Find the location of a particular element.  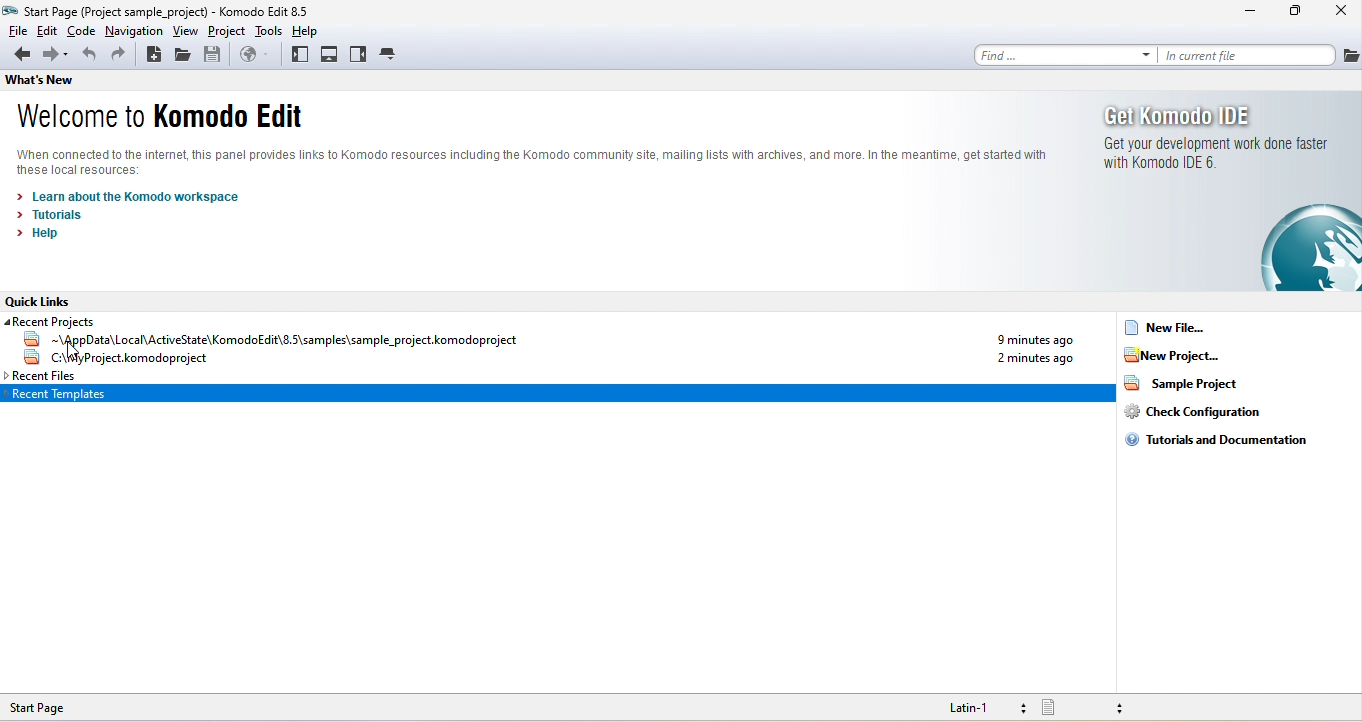

komodo text is located at coordinates (535, 164).